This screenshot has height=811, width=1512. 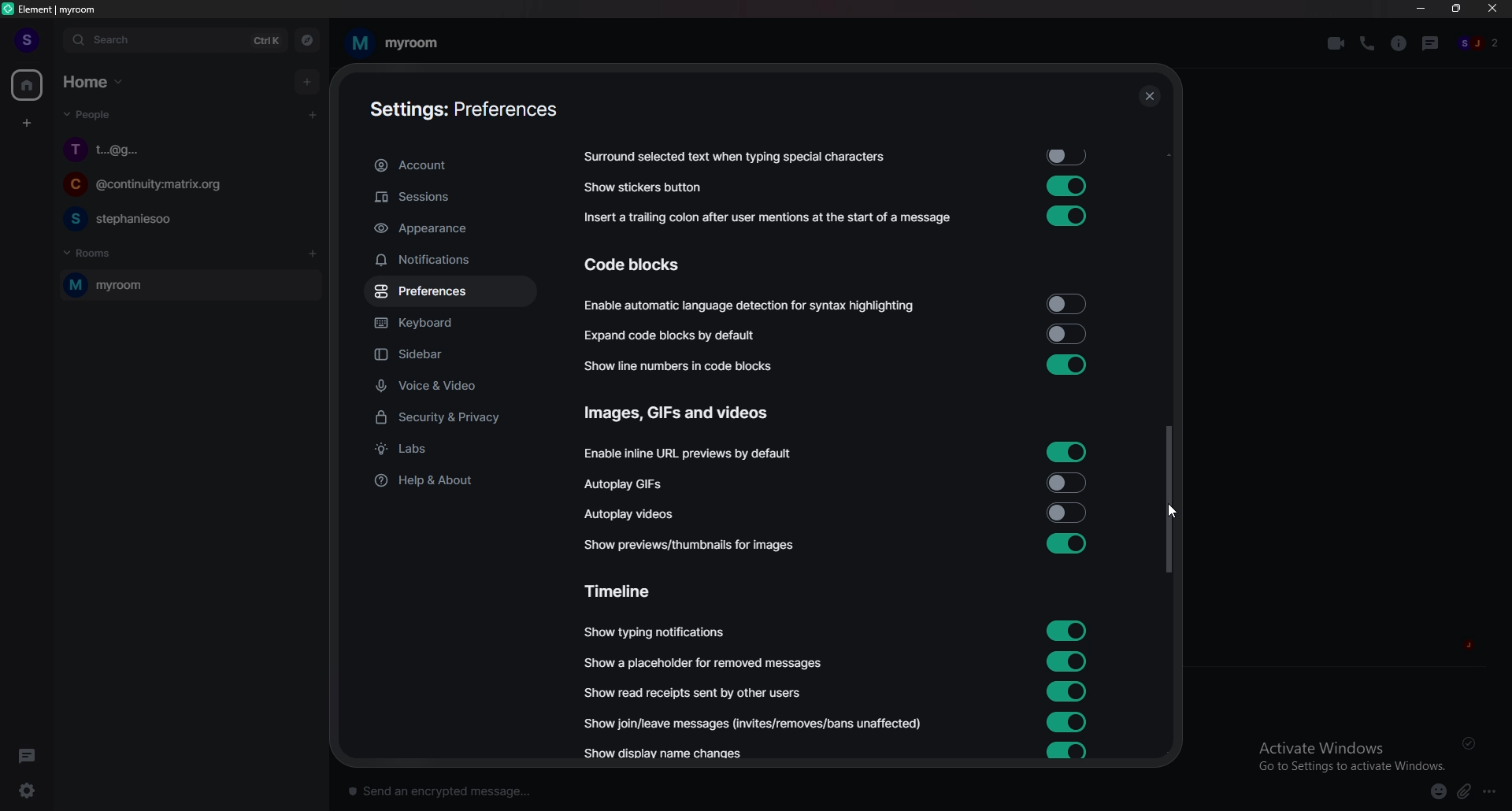 I want to click on dark, so click(x=31, y=755).